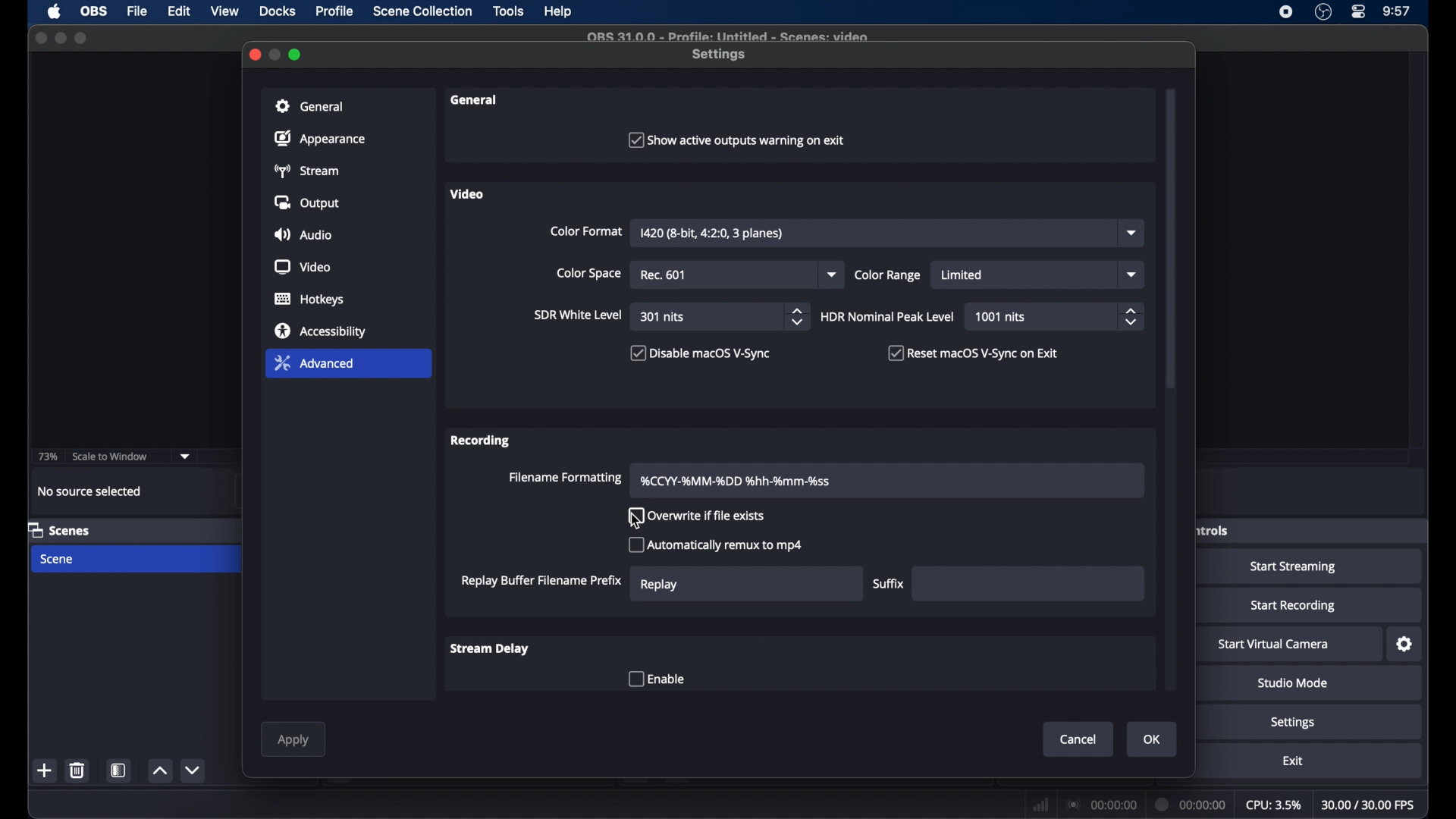 Image resolution: width=1456 pixels, height=819 pixels. What do you see at coordinates (962, 275) in the screenshot?
I see `limited` at bounding box center [962, 275].